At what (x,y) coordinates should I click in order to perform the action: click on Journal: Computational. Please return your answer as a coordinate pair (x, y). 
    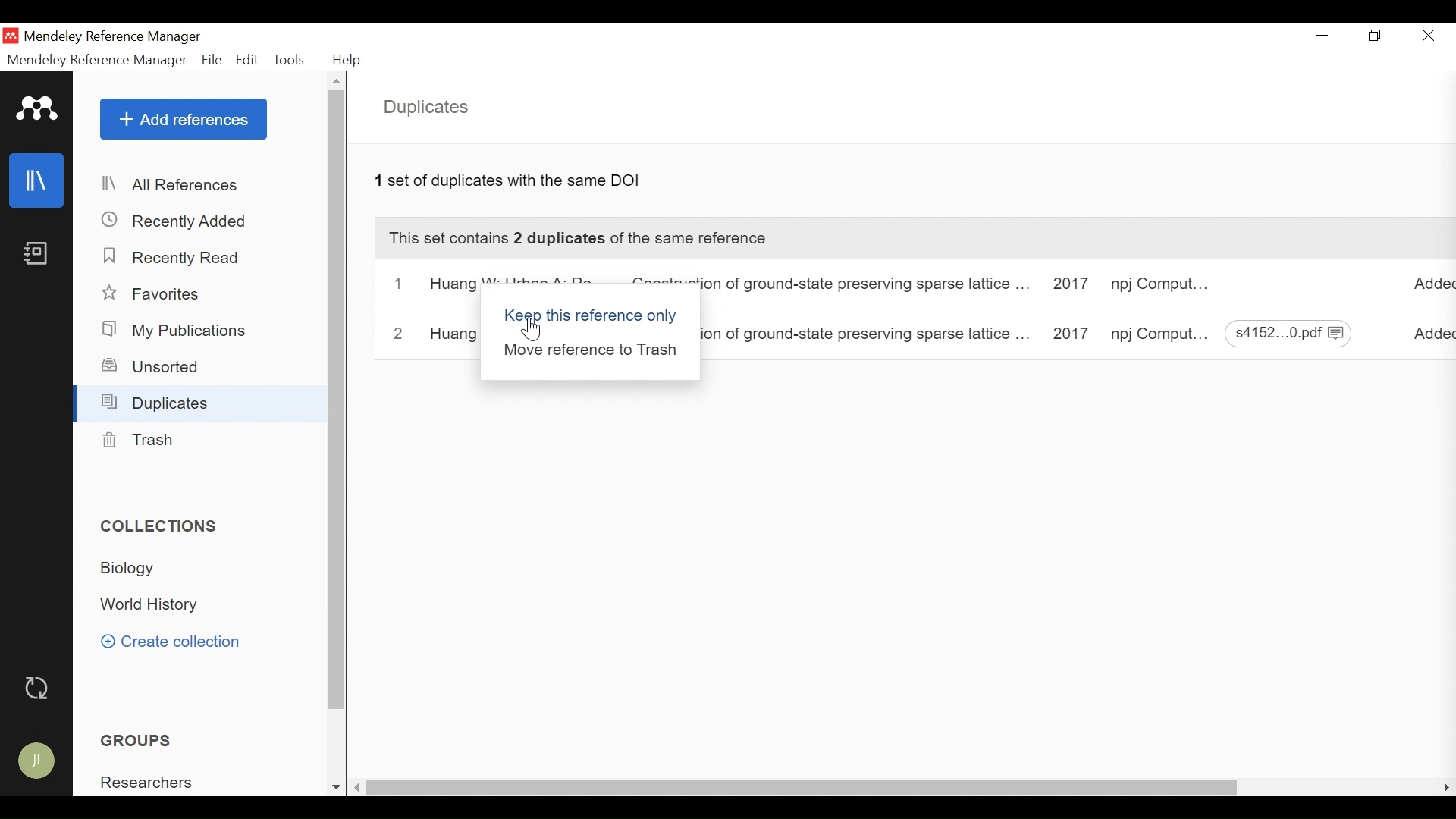
    Looking at the image, I should click on (1161, 287).